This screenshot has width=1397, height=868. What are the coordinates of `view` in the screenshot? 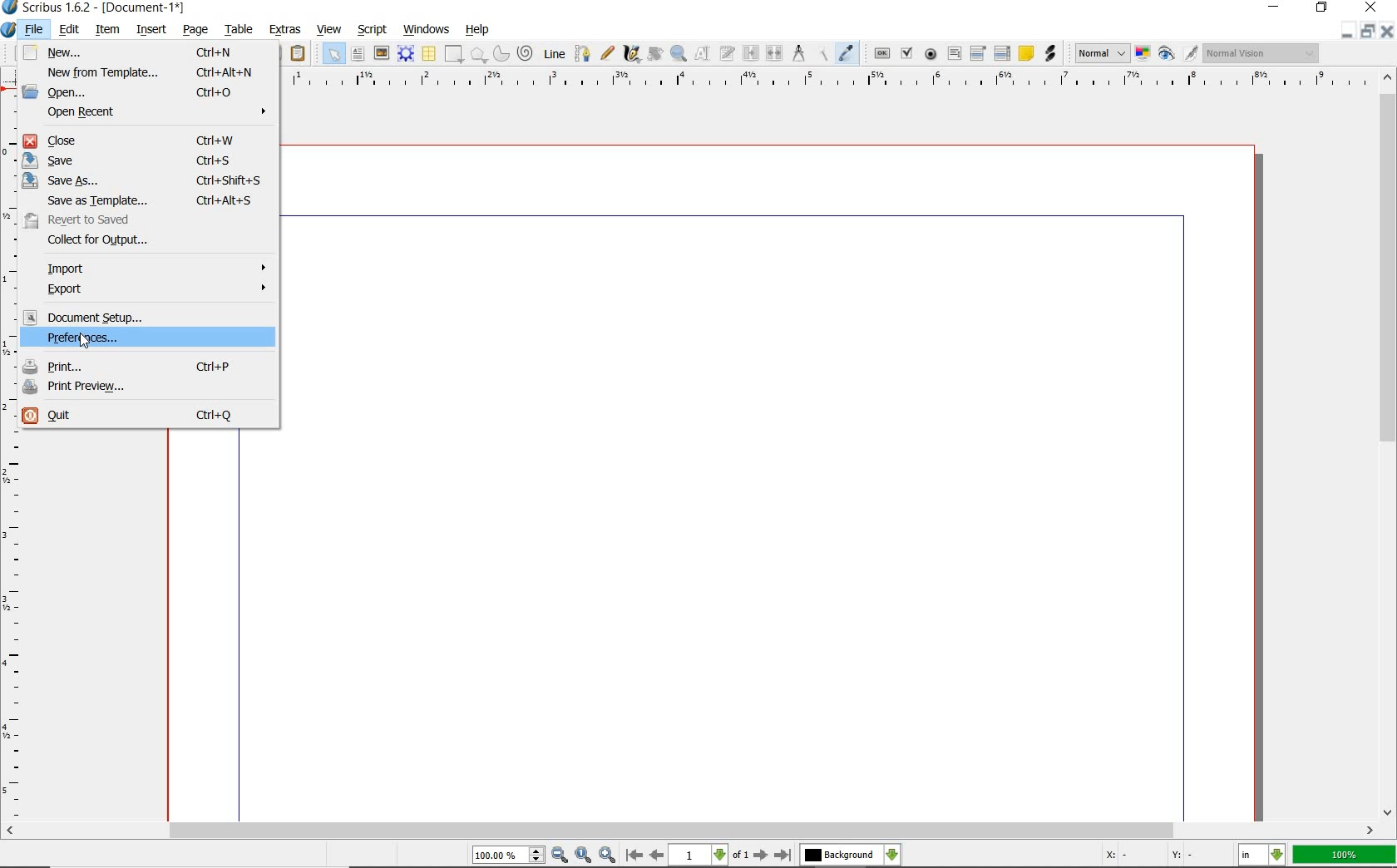 It's located at (330, 30).